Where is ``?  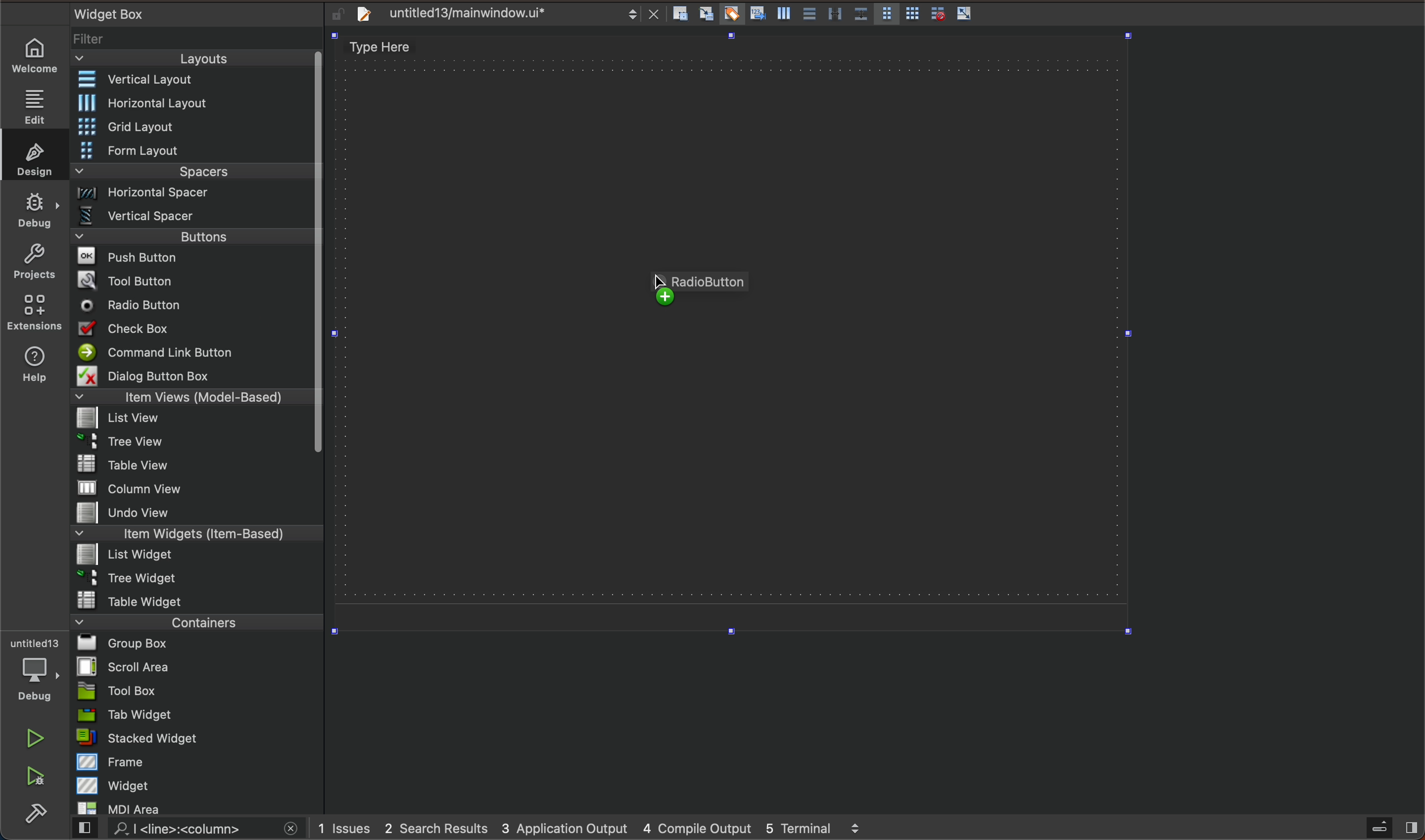
 is located at coordinates (190, 445).